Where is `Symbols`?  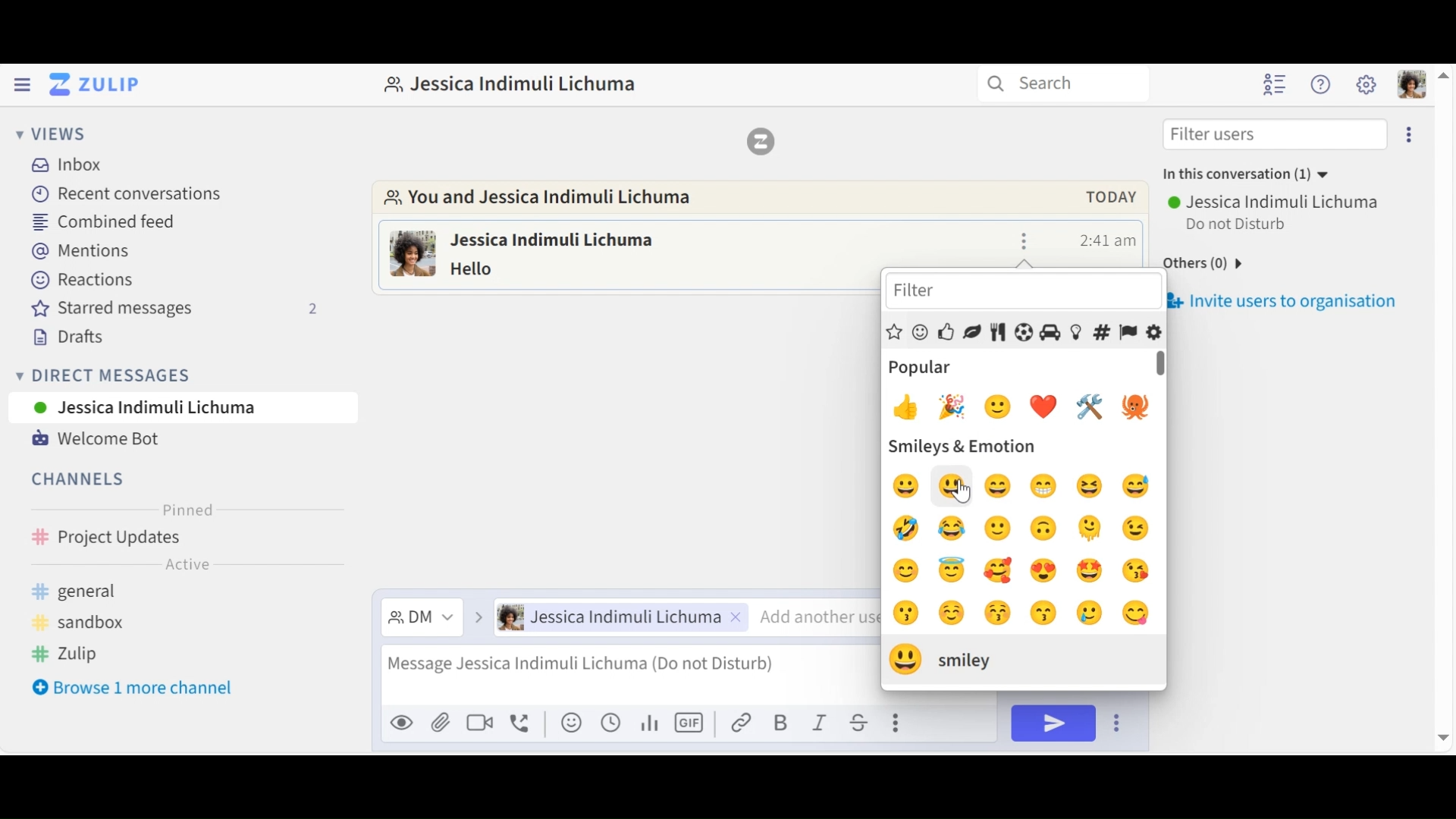 Symbols is located at coordinates (1100, 332).